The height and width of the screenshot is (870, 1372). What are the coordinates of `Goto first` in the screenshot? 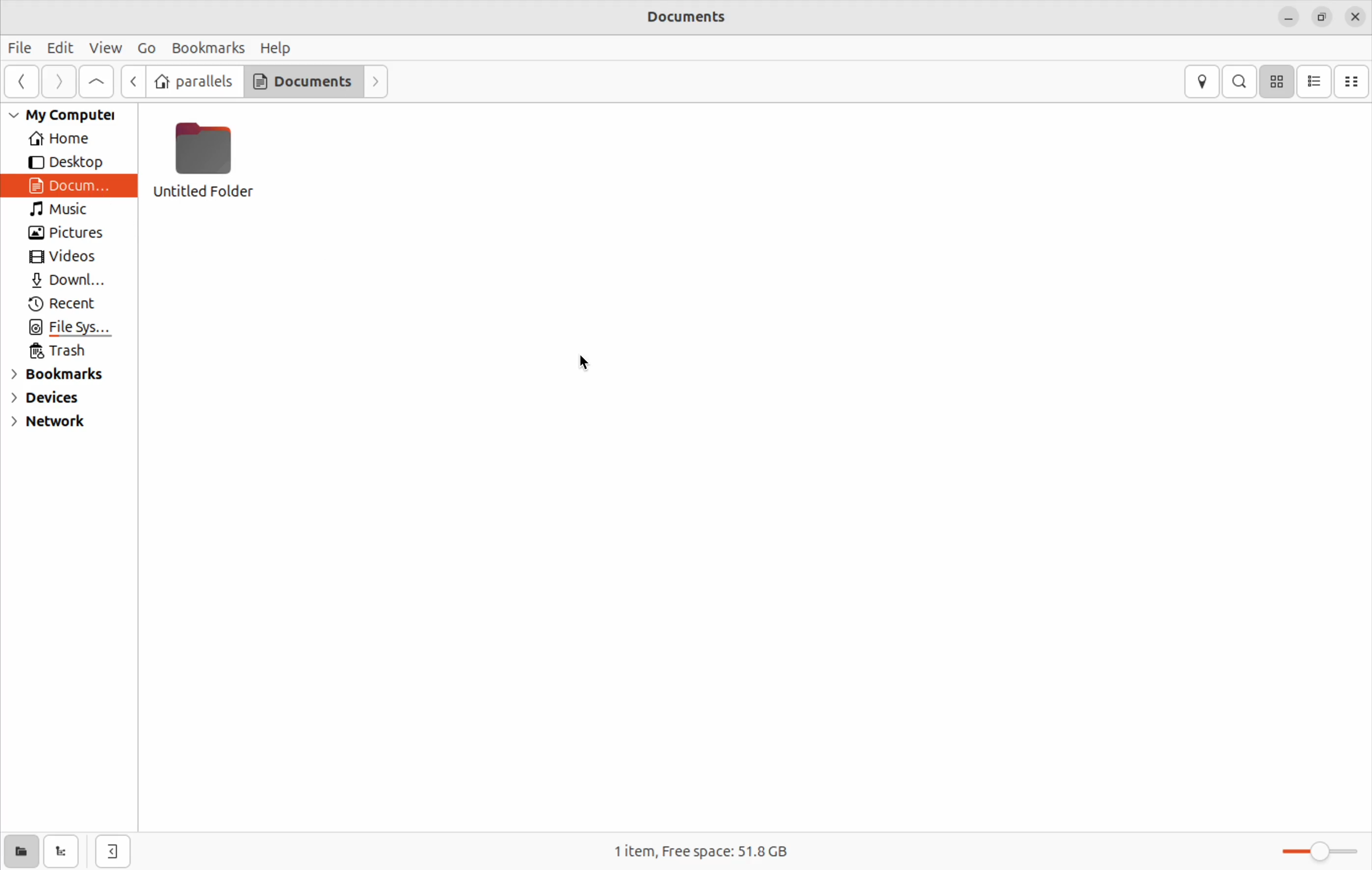 It's located at (96, 80).